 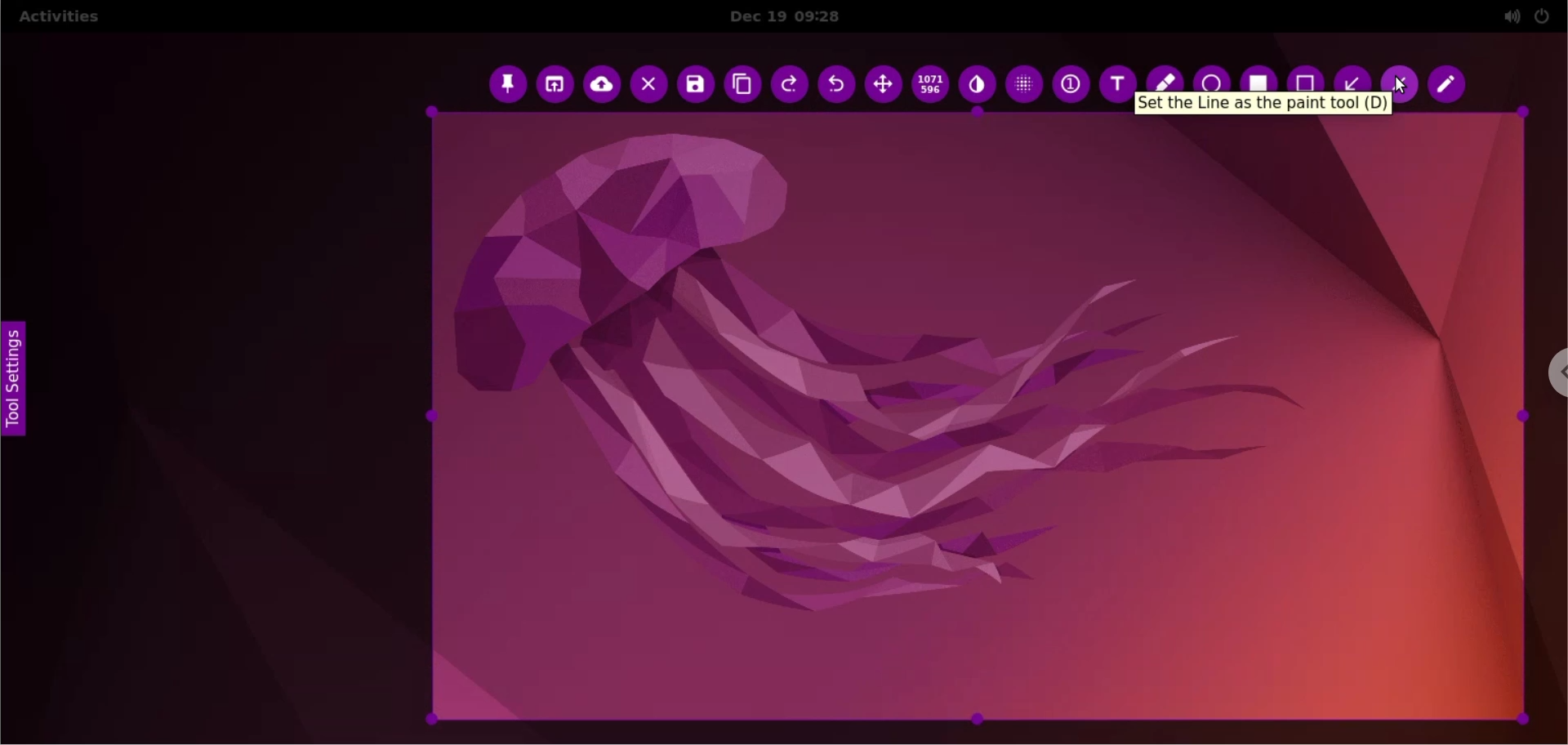 What do you see at coordinates (1304, 77) in the screenshot?
I see `rectangle` at bounding box center [1304, 77].